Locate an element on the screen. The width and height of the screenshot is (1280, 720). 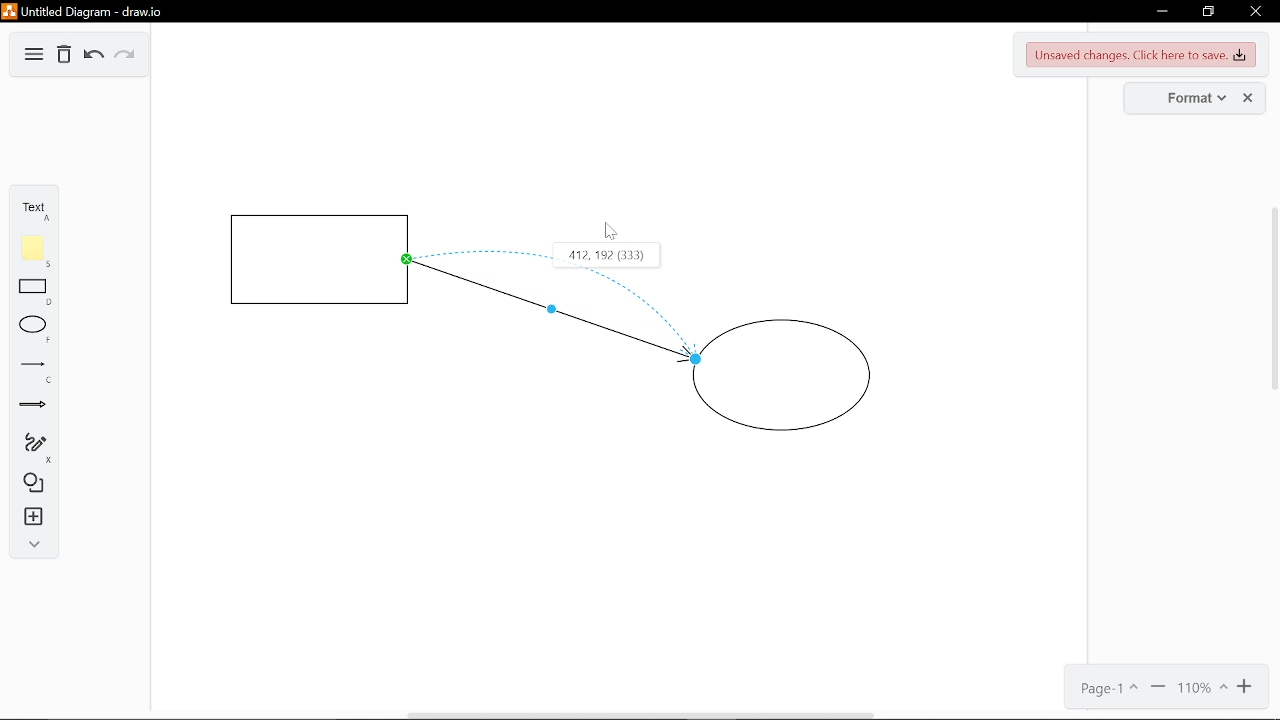
Line is located at coordinates (30, 371).